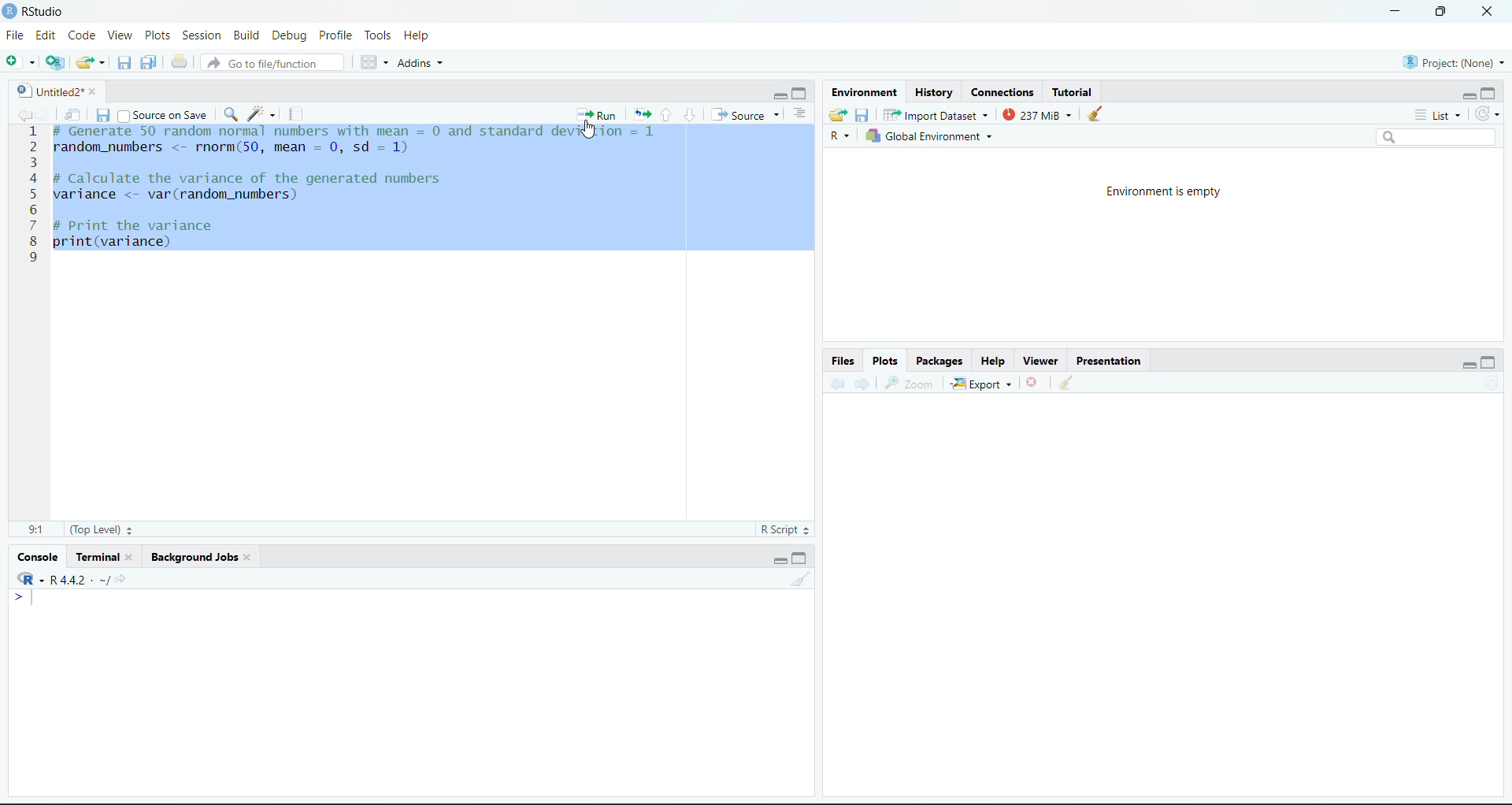  I want to click on Debug, so click(292, 35).